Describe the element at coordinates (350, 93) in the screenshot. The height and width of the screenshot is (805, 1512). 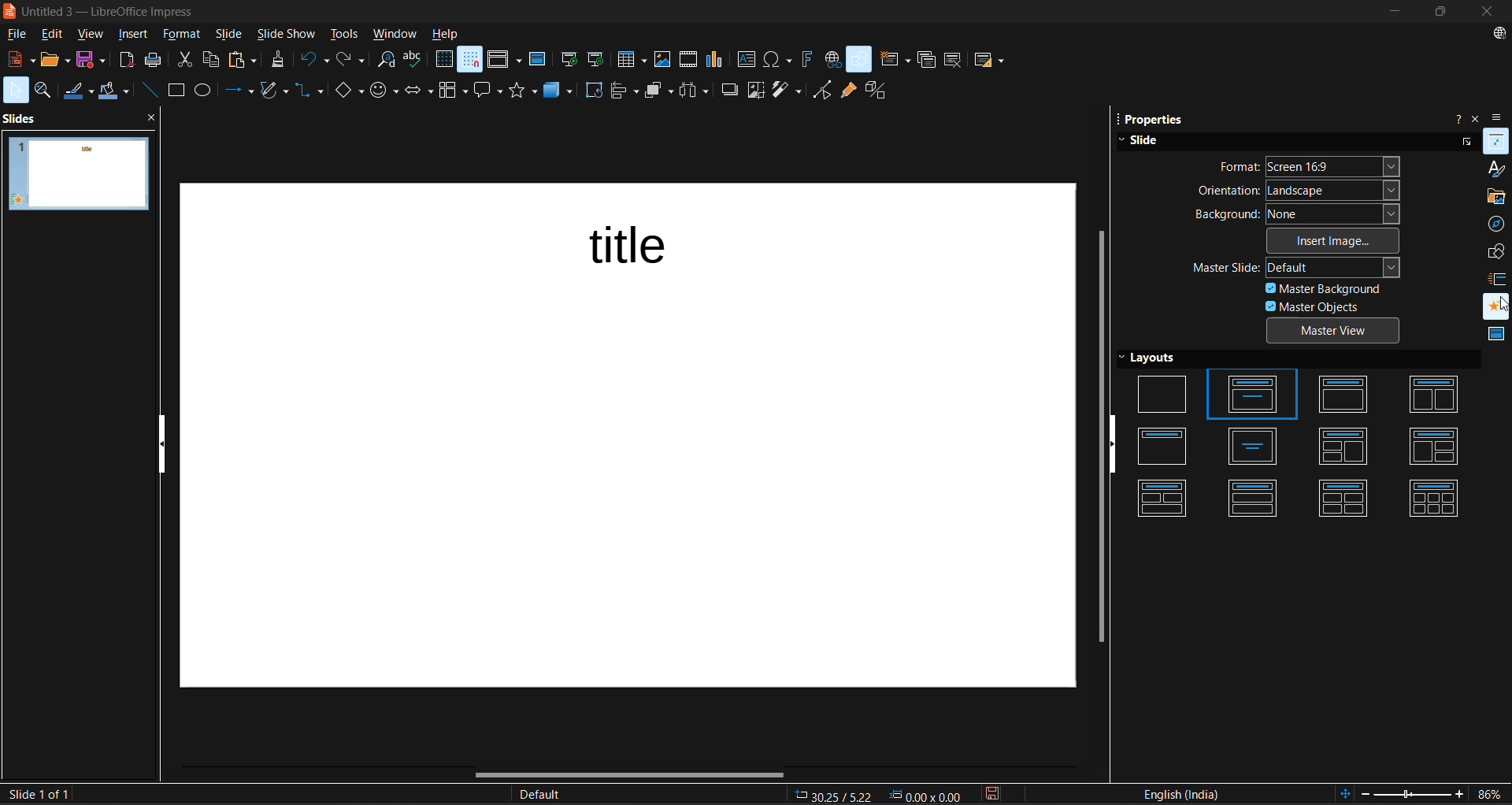
I see `basic shapes` at that location.